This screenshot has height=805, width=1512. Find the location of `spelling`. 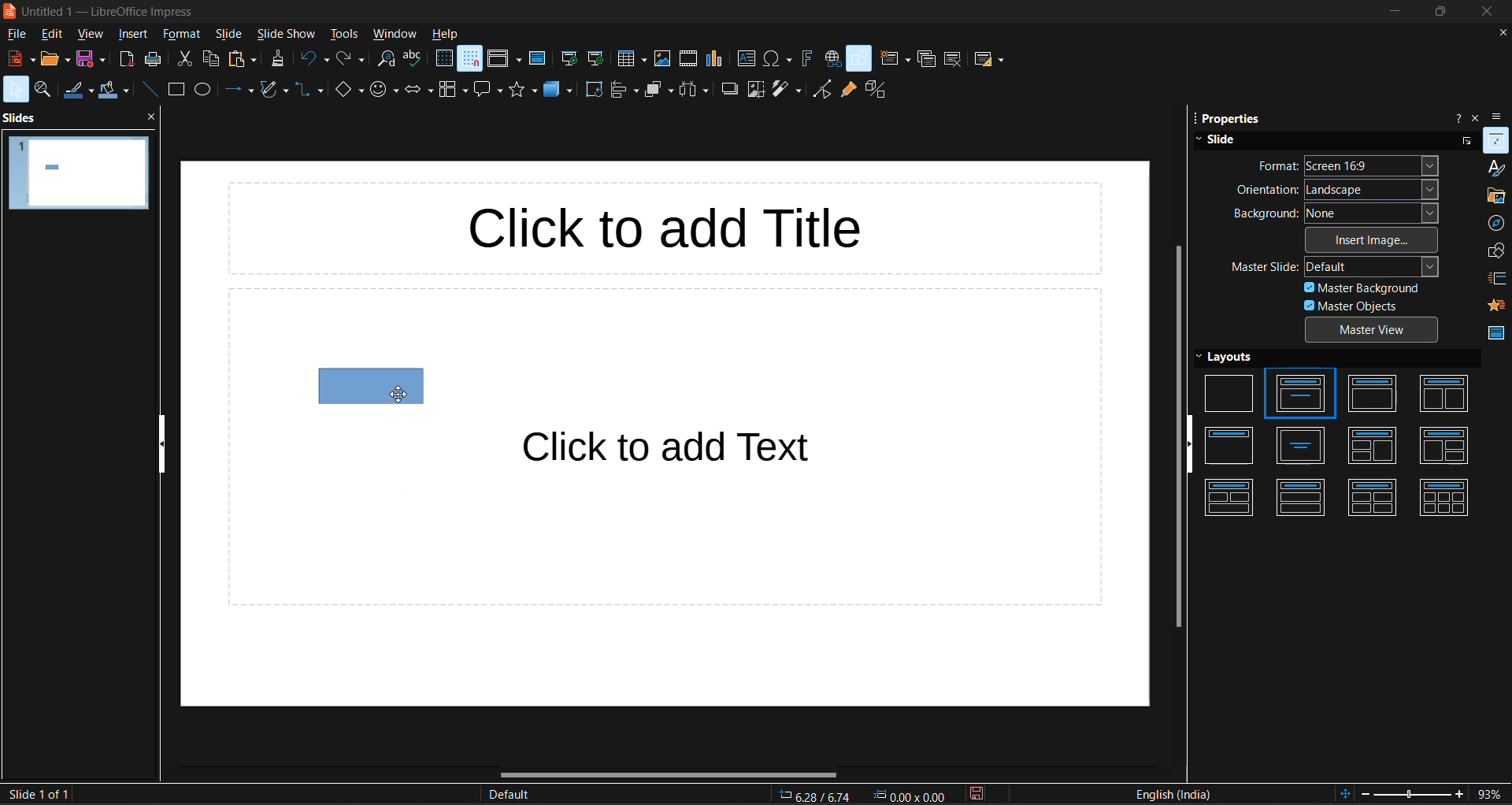

spelling is located at coordinates (413, 61).